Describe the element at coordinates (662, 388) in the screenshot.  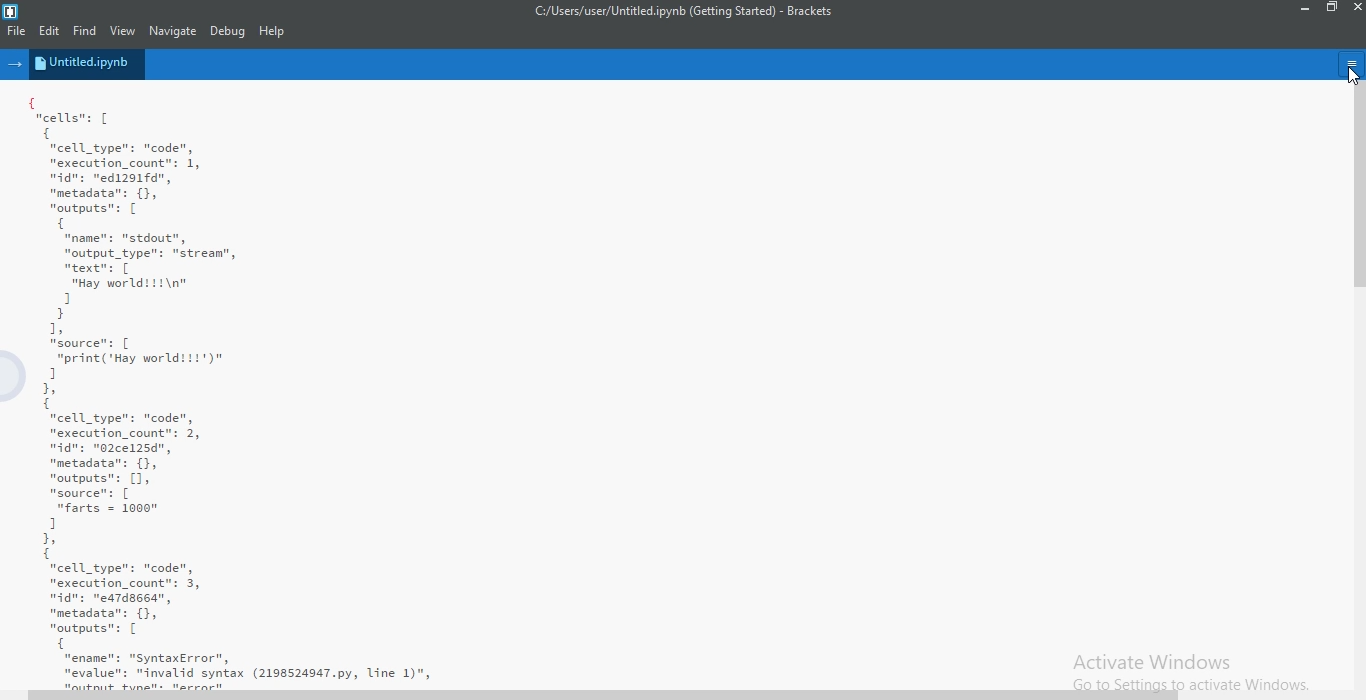
I see `{
cells: [
{
"cell _type": "code",
"execution_count": 1,
nidn: "ed1291fd",
"metadata": {},
"outputs": [
{
"name": "stdout",
"output_type": "strean",
mtextn: [
“Hay world!!!\n"
1
}
1,
source: [
"print('Hay worlditt')"
1
1,
1
"cell _type": "code",
"execution_count": 2,
dn: "02ce125d",
"metadata": {},
"outputs": [1,
"source": [
"farts = 1000"
1
1,
1
"cell _type": "code",
"execution_count": 3,
nidn: "ea7dssed”,
"metadata": {},
"outputs": [
{
“ename": "SyntaxError",
"evalue": "invalid syntax (2198524947.py, Line 1)",` at that location.